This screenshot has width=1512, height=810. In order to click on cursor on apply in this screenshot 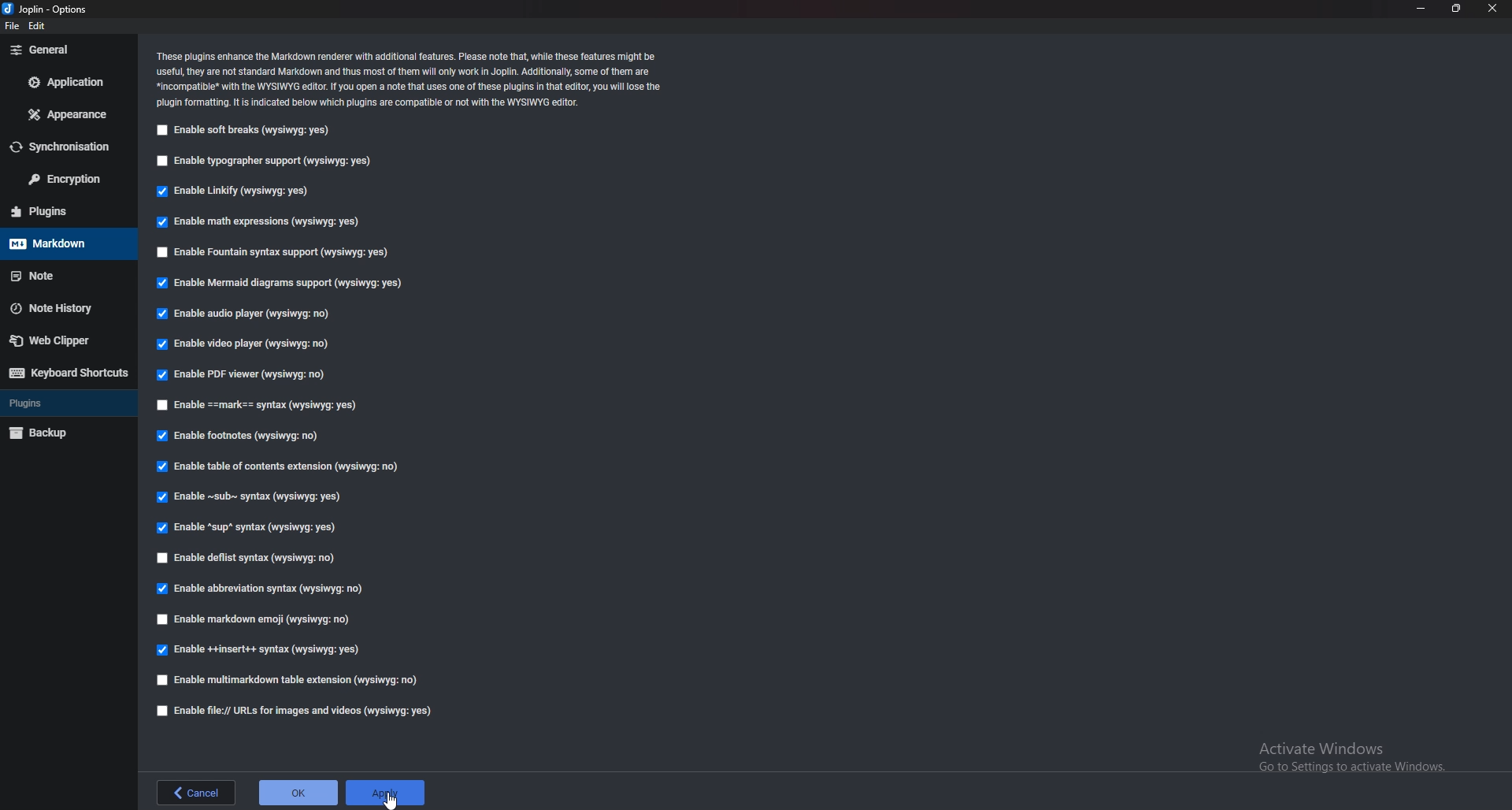, I will do `click(384, 793)`.